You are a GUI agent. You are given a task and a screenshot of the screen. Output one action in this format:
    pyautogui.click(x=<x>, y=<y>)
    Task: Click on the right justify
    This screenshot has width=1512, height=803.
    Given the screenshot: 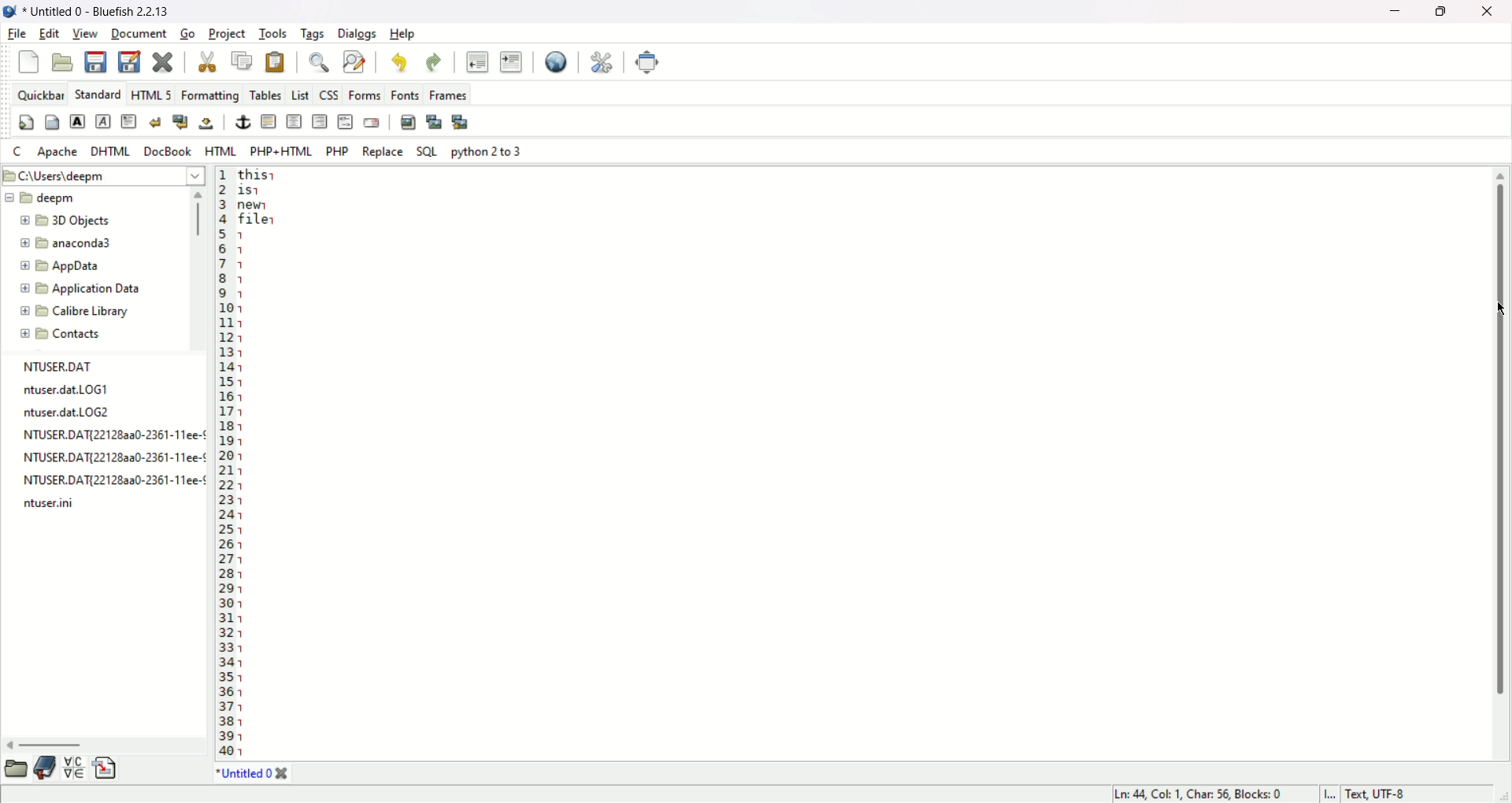 What is the action you would take?
    pyautogui.click(x=321, y=121)
    